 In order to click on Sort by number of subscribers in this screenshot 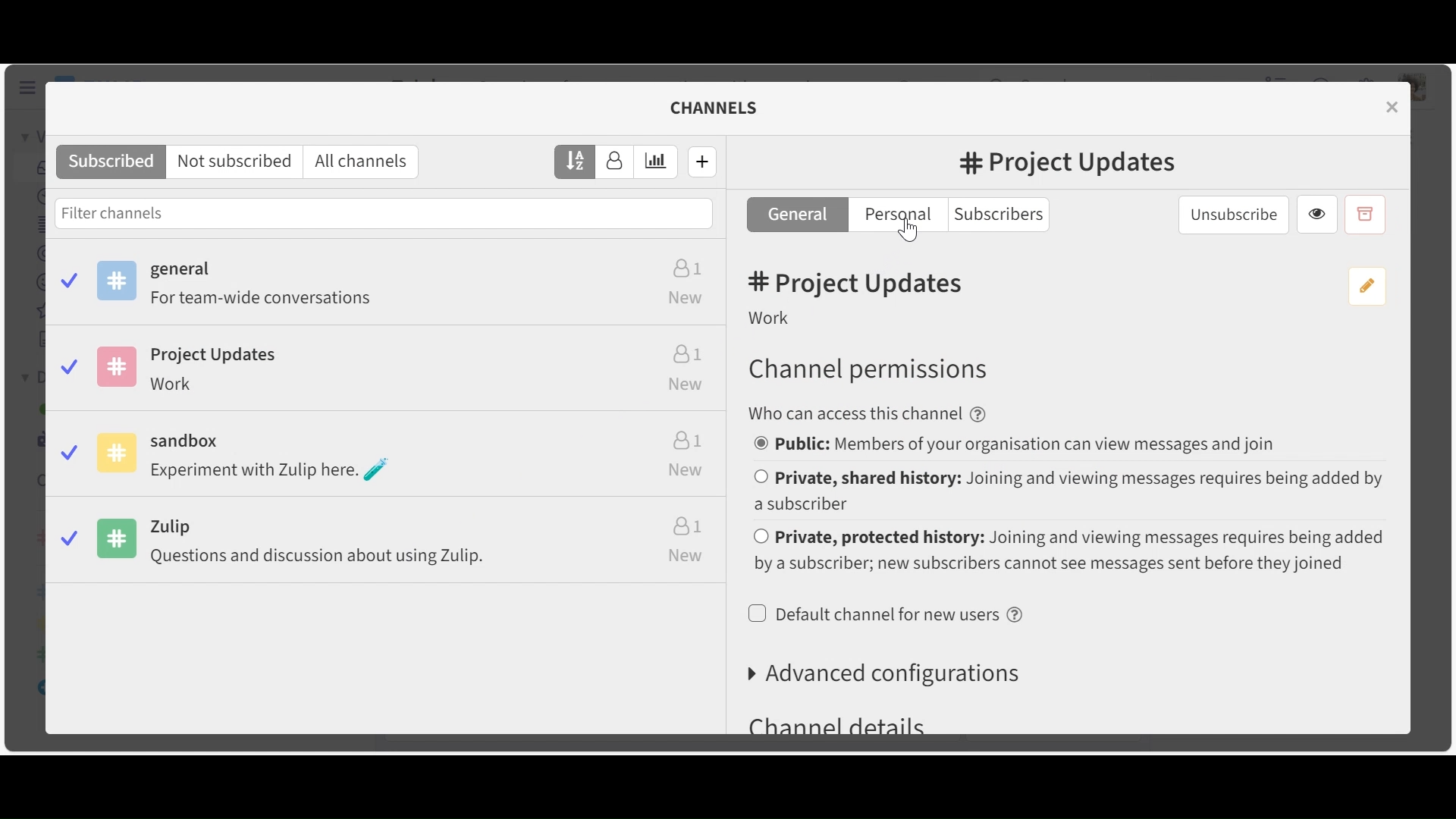, I will do `click(615, 162)`.